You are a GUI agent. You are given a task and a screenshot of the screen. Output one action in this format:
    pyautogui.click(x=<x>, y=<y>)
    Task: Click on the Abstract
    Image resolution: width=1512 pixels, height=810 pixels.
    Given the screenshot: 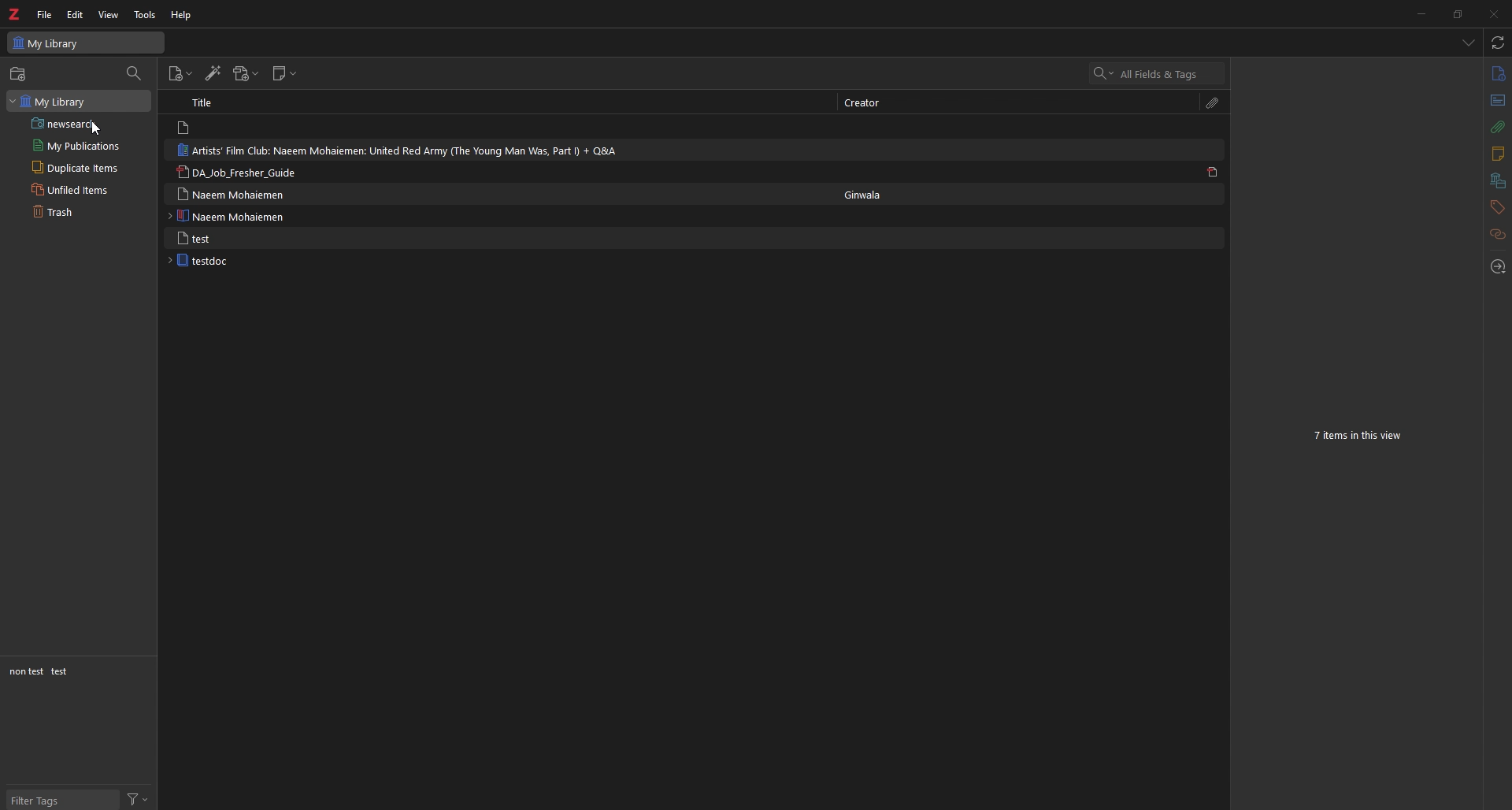 What is the action you would take?
    pyautogui.click(x=1495, y=98)
    